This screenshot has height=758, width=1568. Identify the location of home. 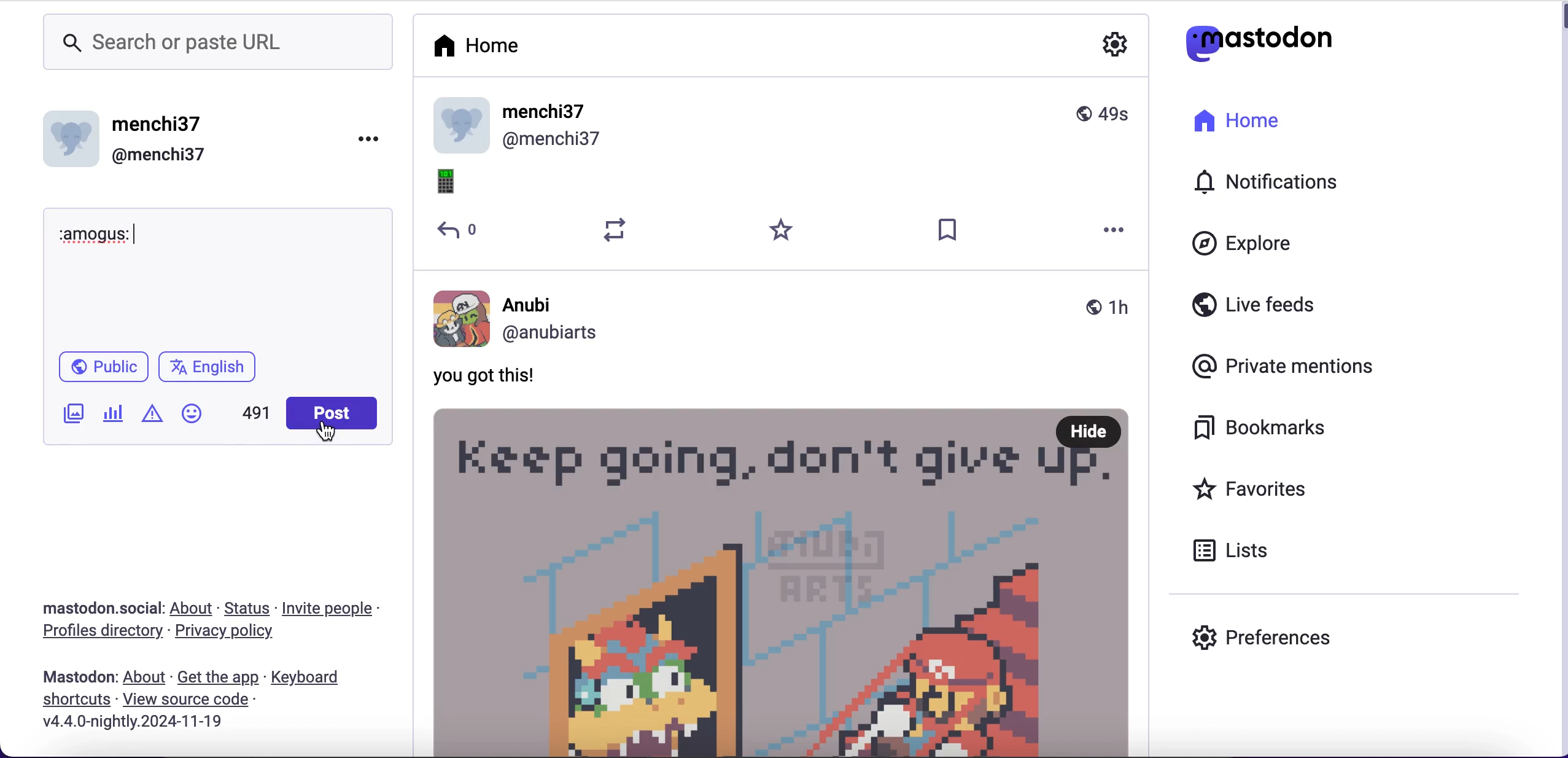
(1234, 128).